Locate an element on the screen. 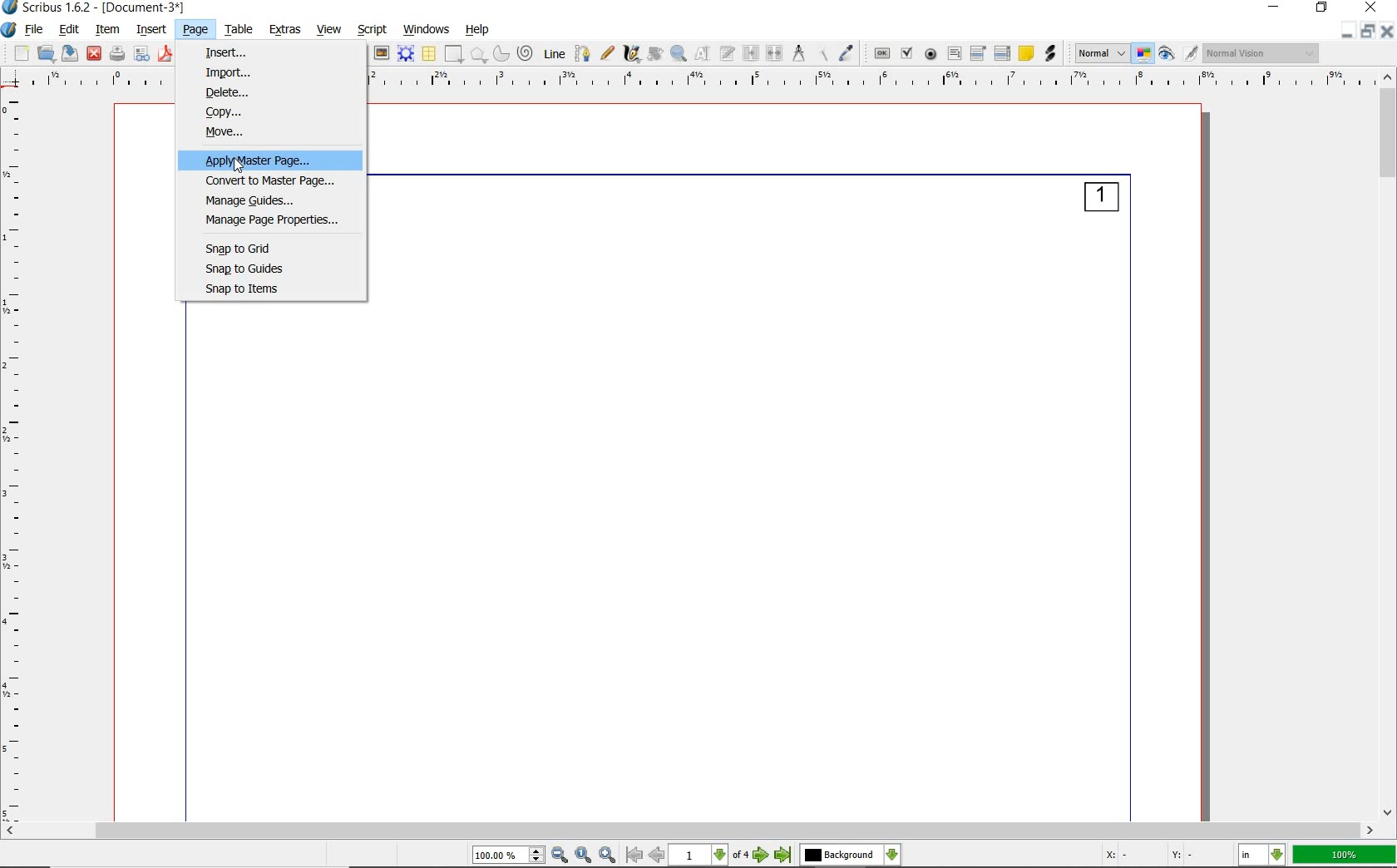 This screenshot has width=1397, height=868. move is located at coordinates (272, 133).